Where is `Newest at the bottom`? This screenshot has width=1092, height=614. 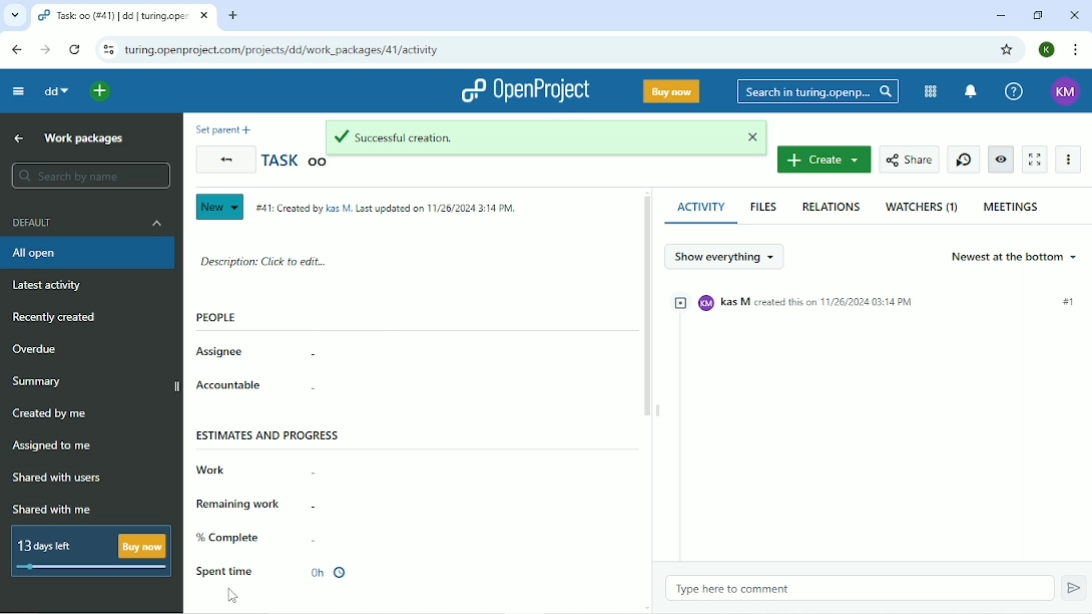
Newest at the bottom is located at coordinates (1015, 257).